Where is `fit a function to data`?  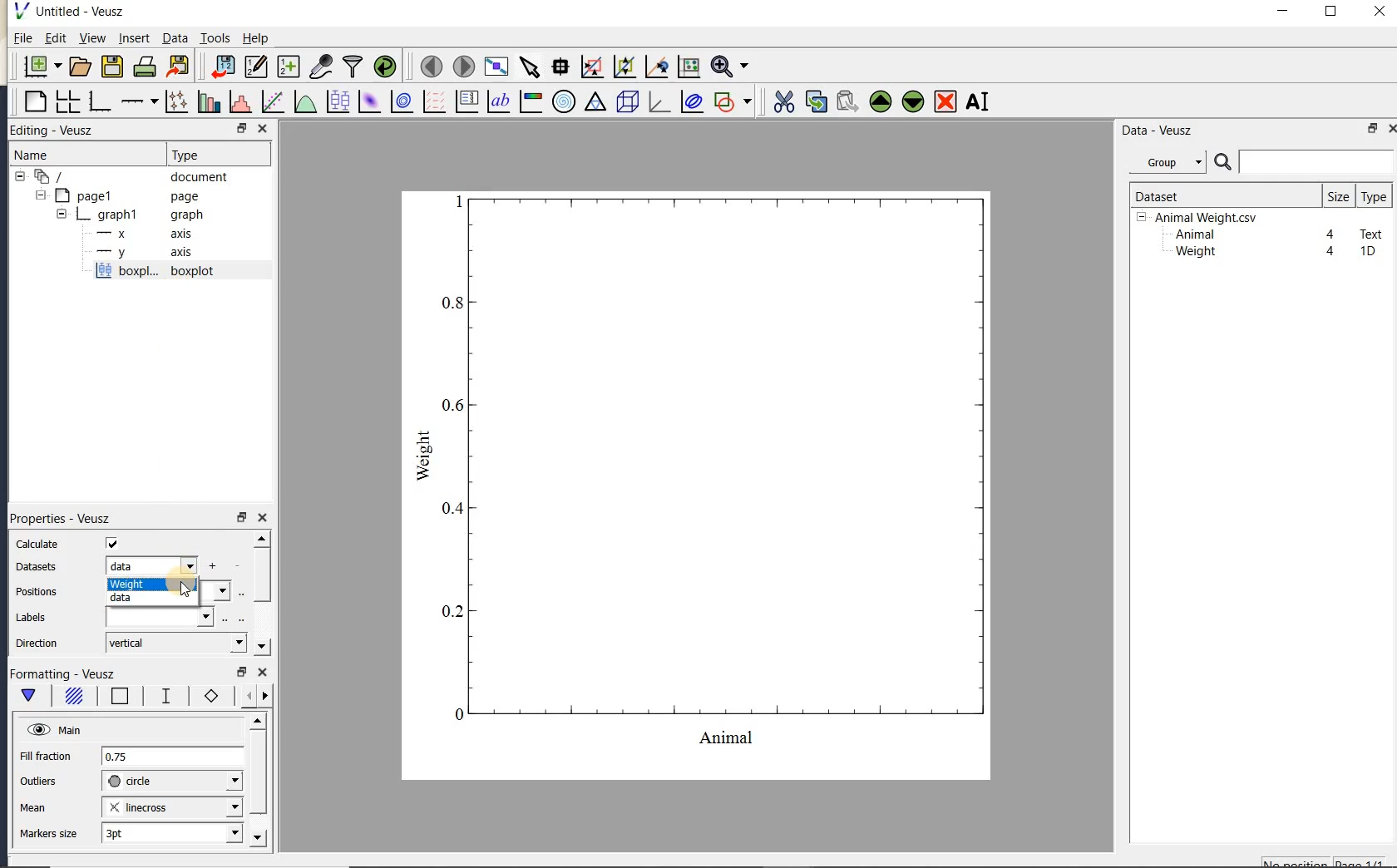 fit a function to data is located at coordinates (272, 101).